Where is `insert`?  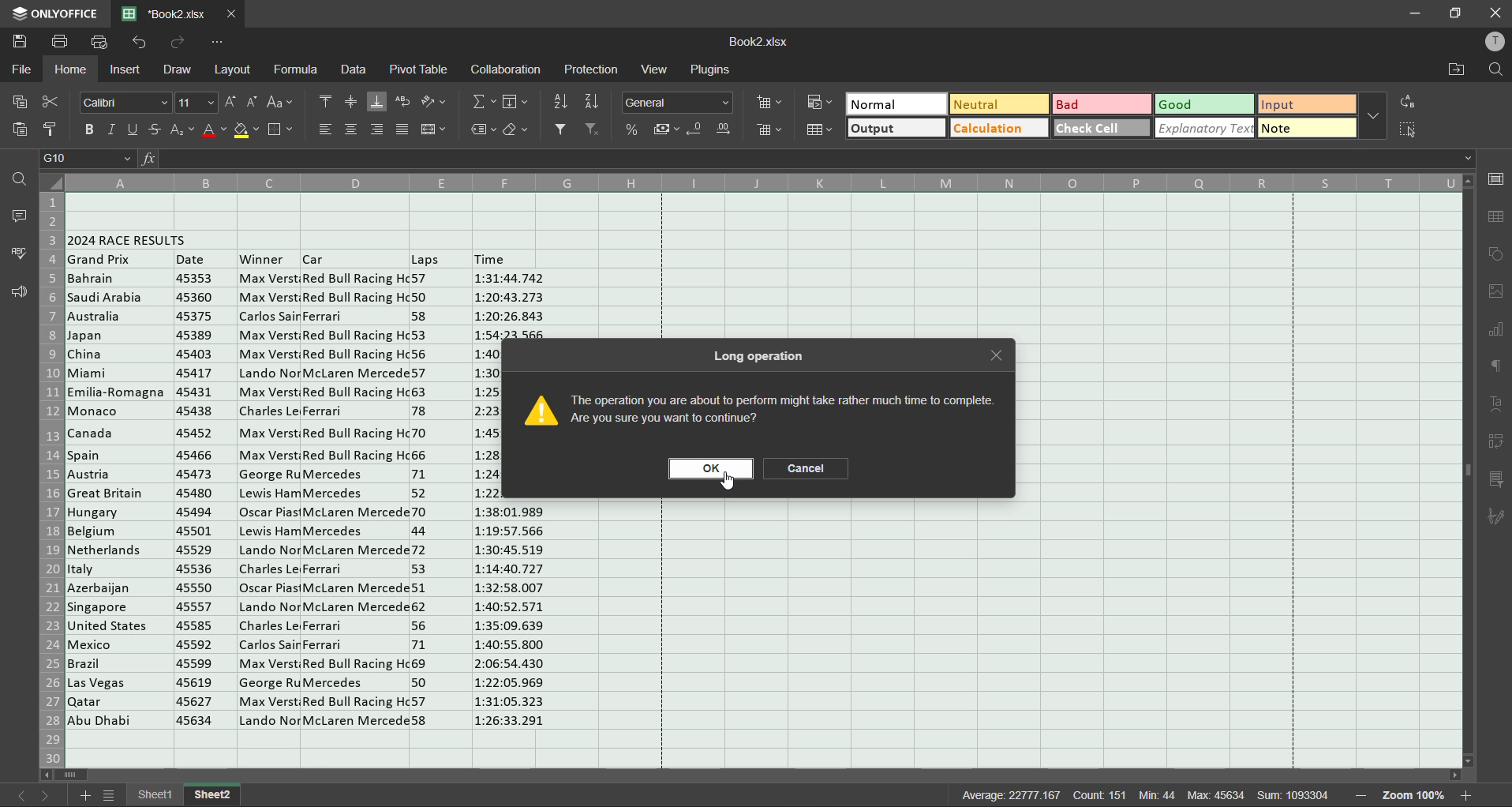
insert is located at coordinates (129, 70).